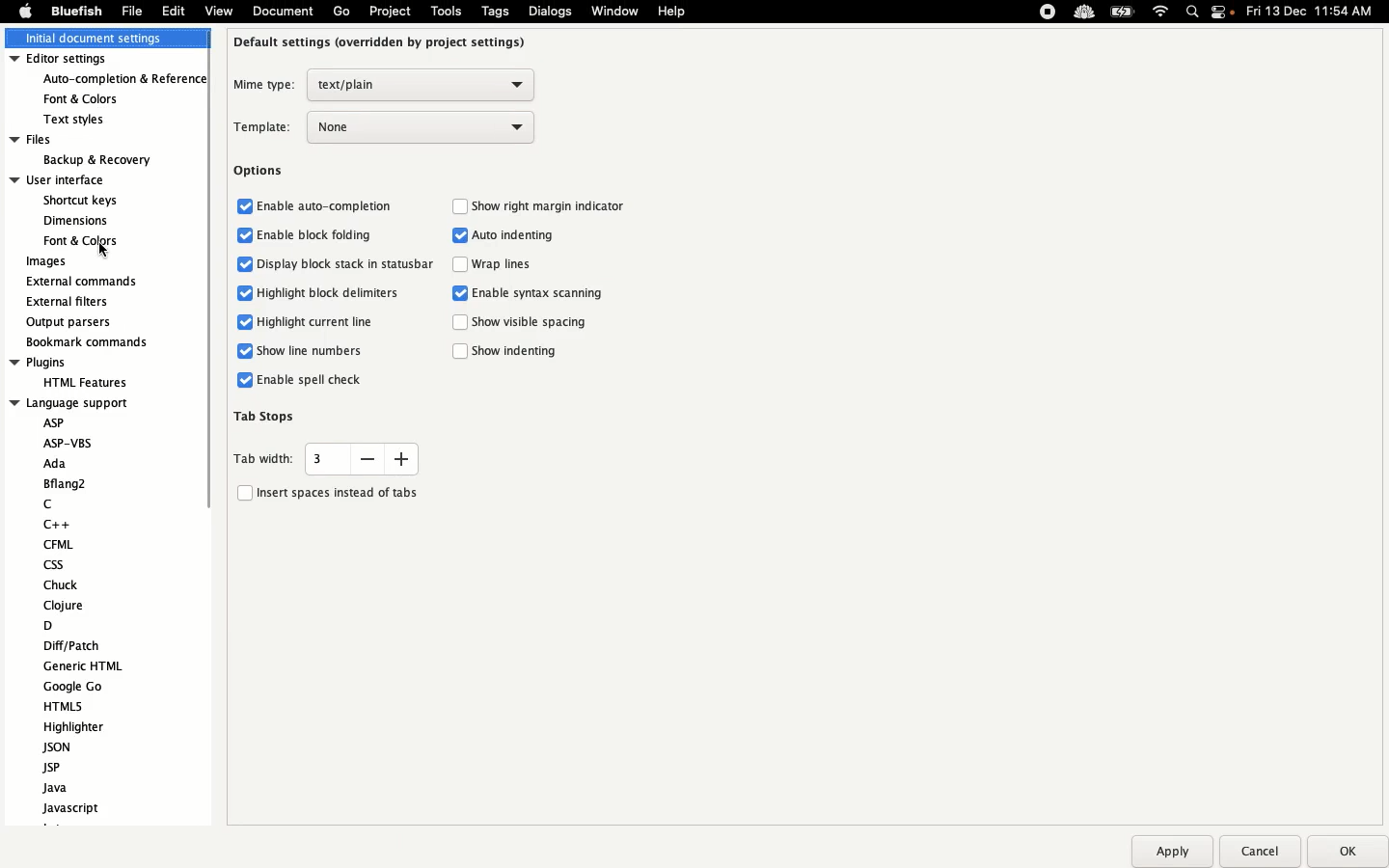 This screenshot has width=1389, height=868. I want to click on HTML feature, so click(81, 381).